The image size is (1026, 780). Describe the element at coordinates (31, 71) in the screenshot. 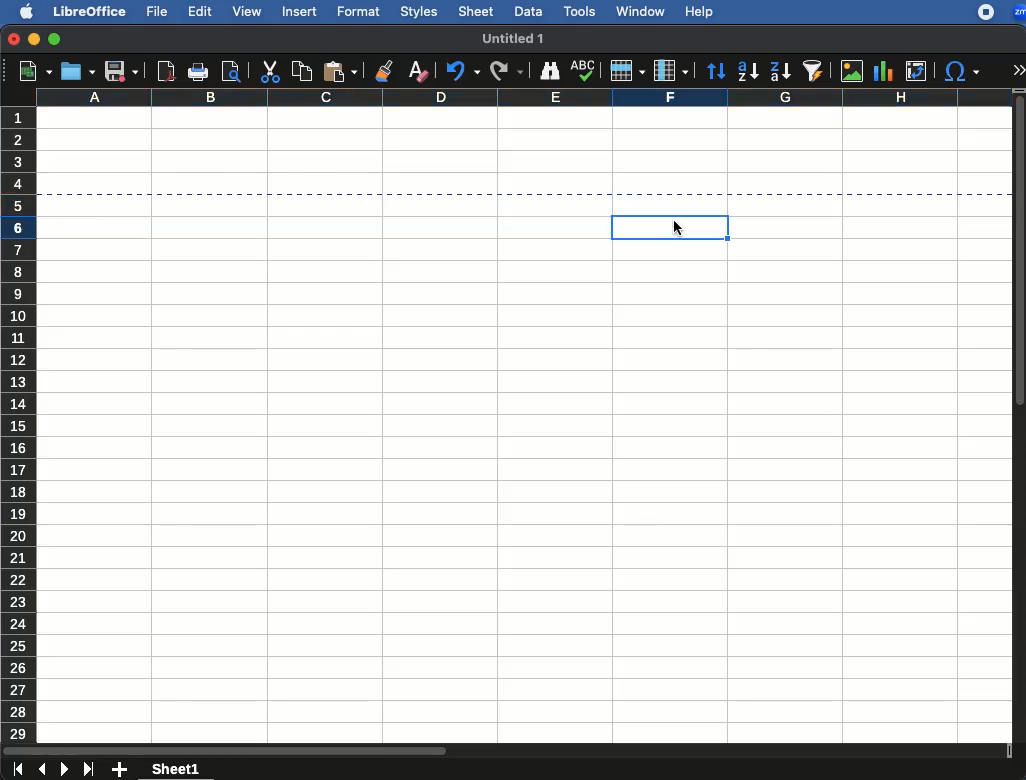

I see `new` at that location.